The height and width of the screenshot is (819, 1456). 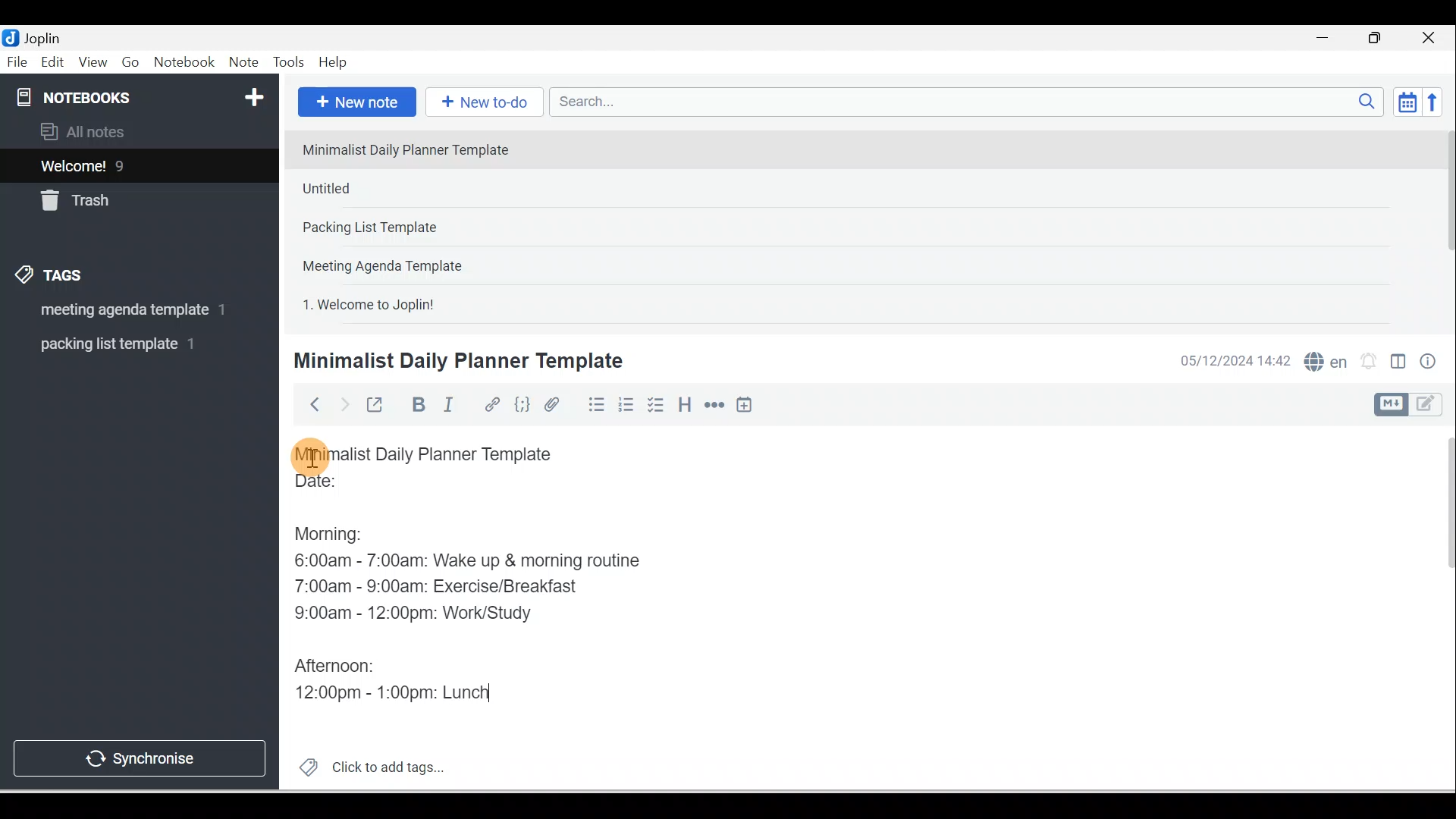 I want to click on Note 3, so click(x=418, y=228).